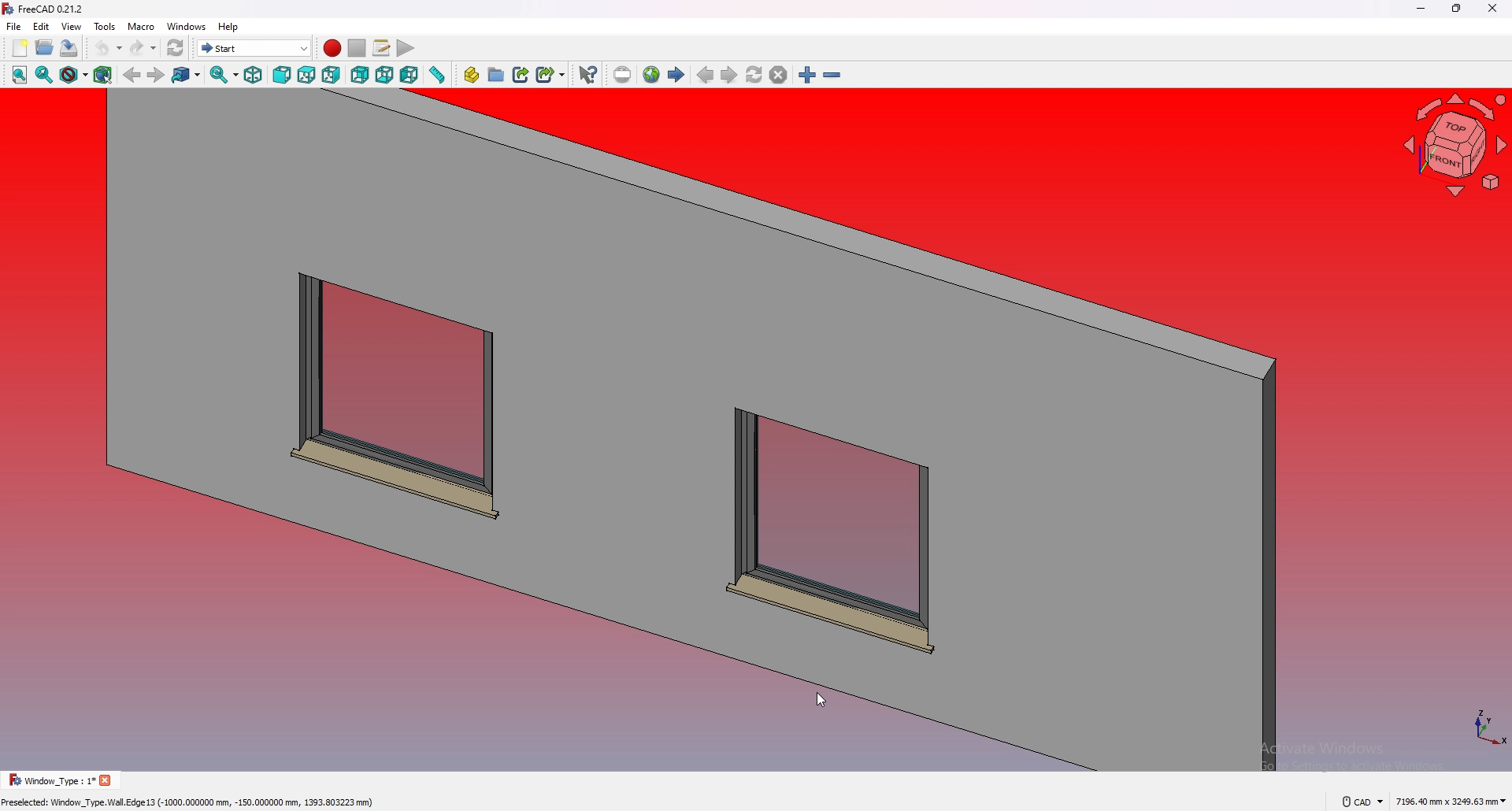 This screenshot has height=811, width=1512. I want to click on Window _Type : 1, so click(47, 780).